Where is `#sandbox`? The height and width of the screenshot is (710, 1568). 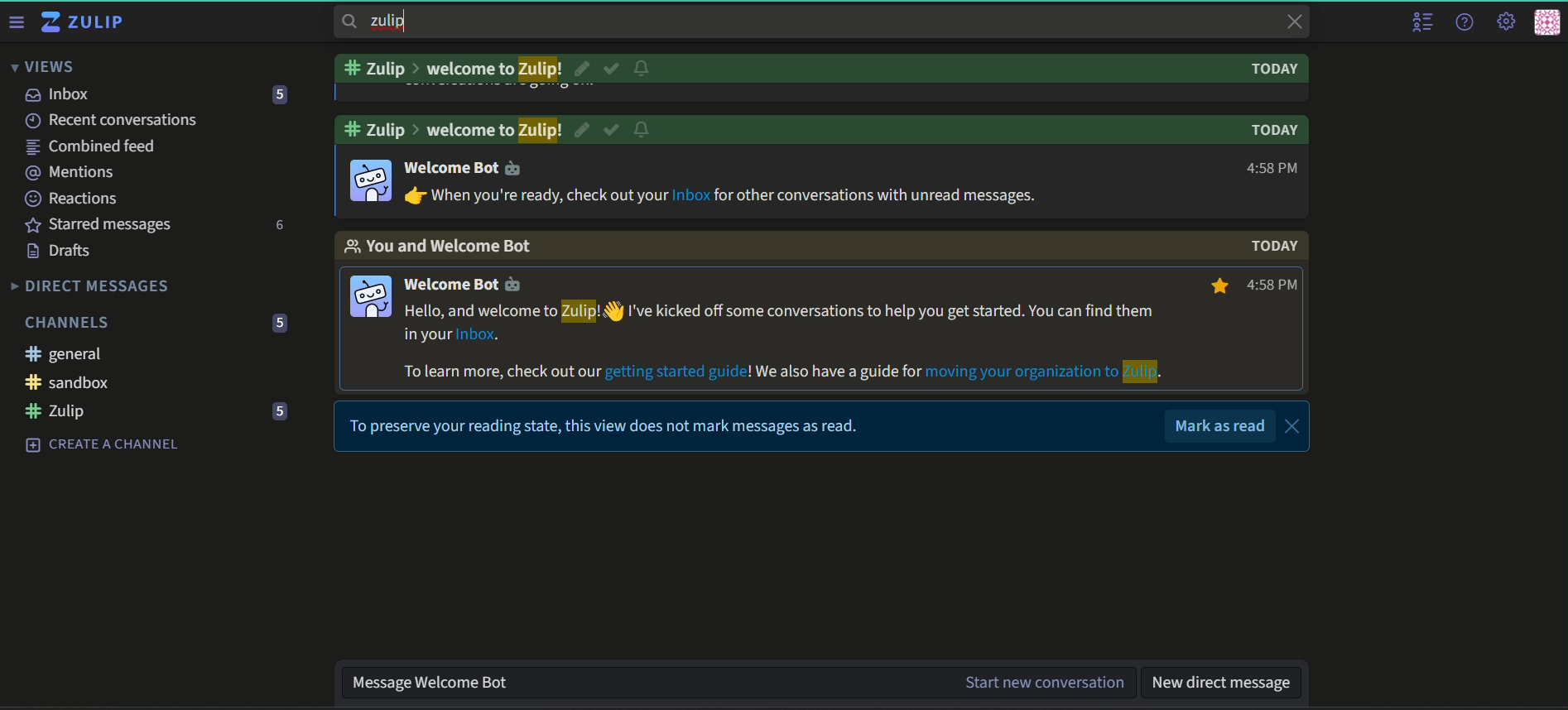 #sandbox is located at coordinates (102, 383).